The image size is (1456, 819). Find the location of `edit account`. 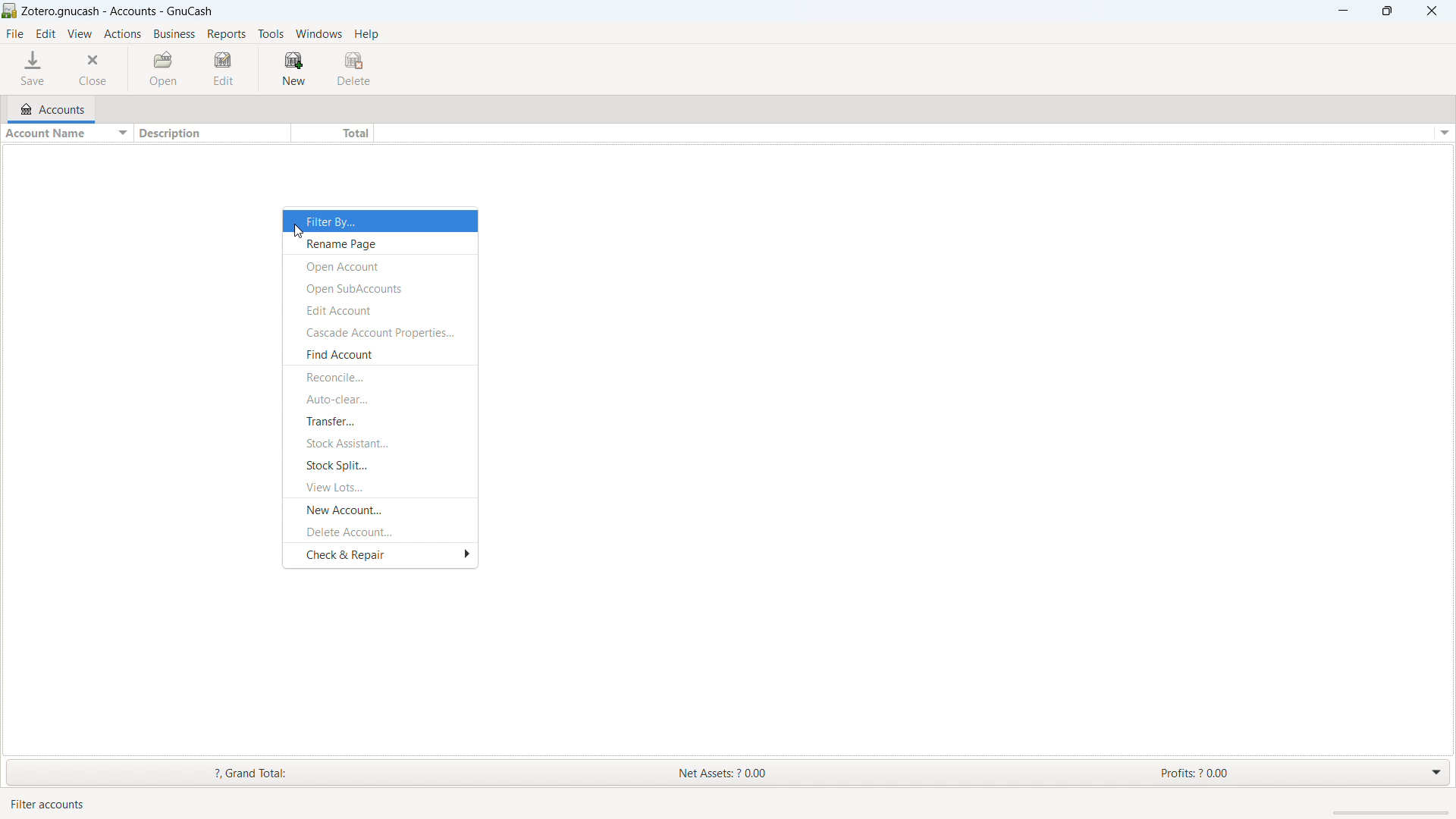

edit account is located at coordinates (378, 310).